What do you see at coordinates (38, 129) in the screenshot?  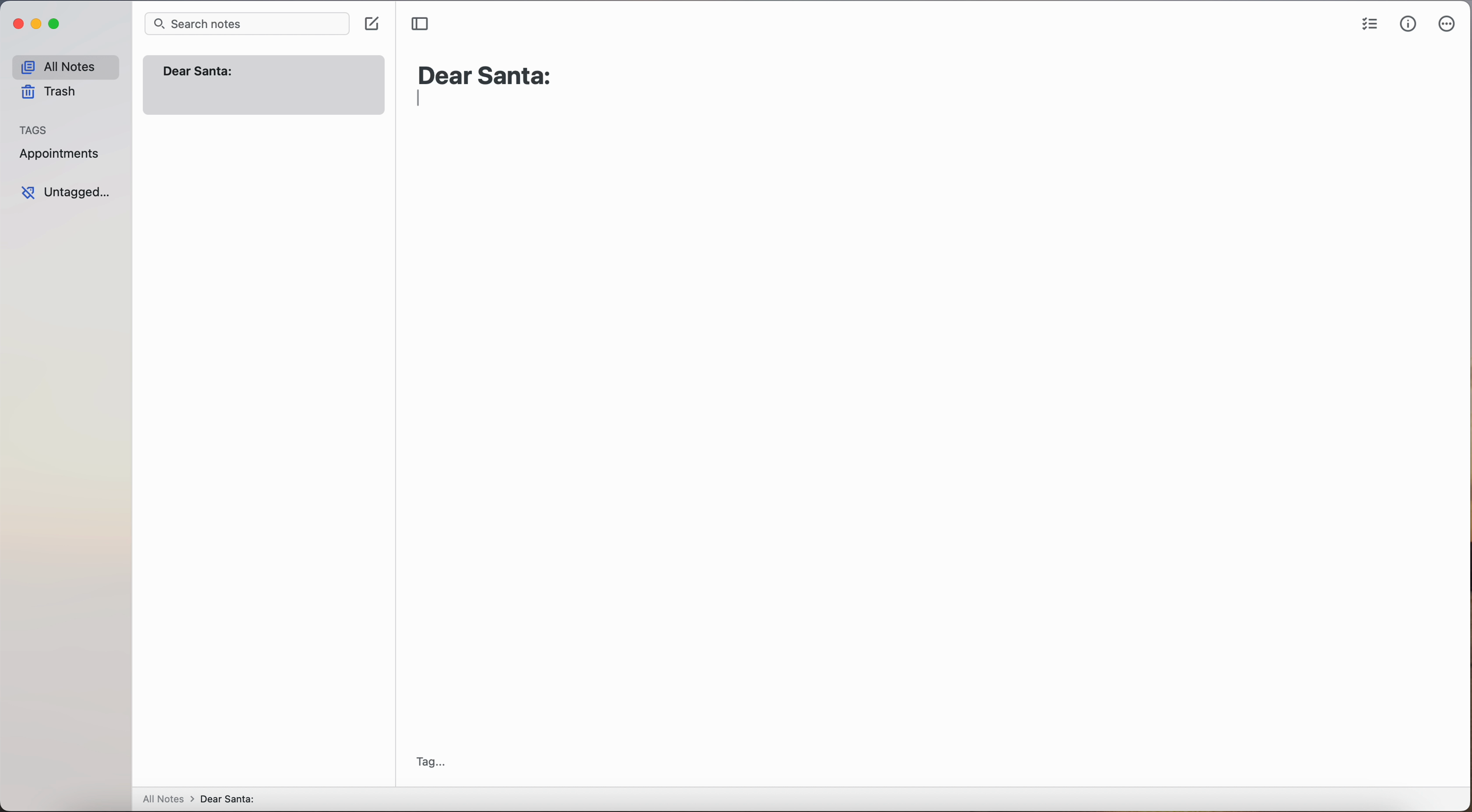 I see `tags` at bounding box center [38, 129].